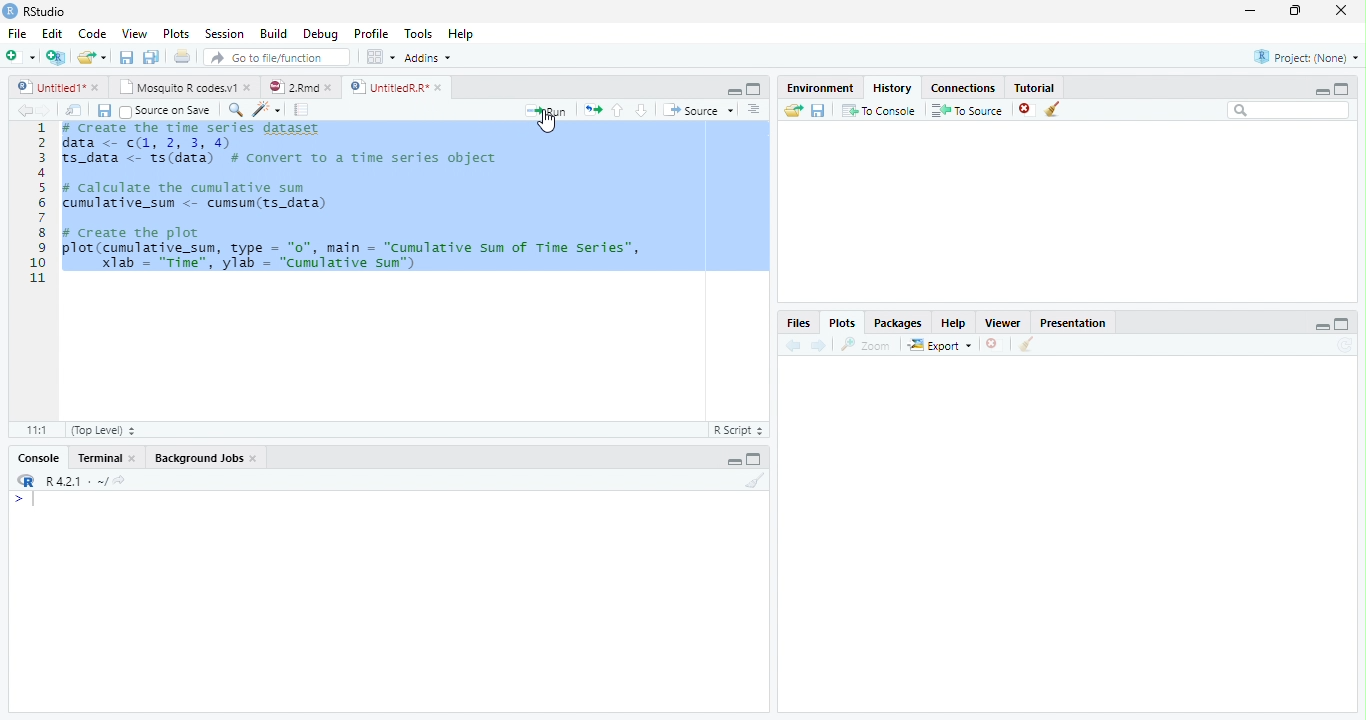 This screenshot has height=720, width=1366. I want to click on Project (None), so click(1307, 57).